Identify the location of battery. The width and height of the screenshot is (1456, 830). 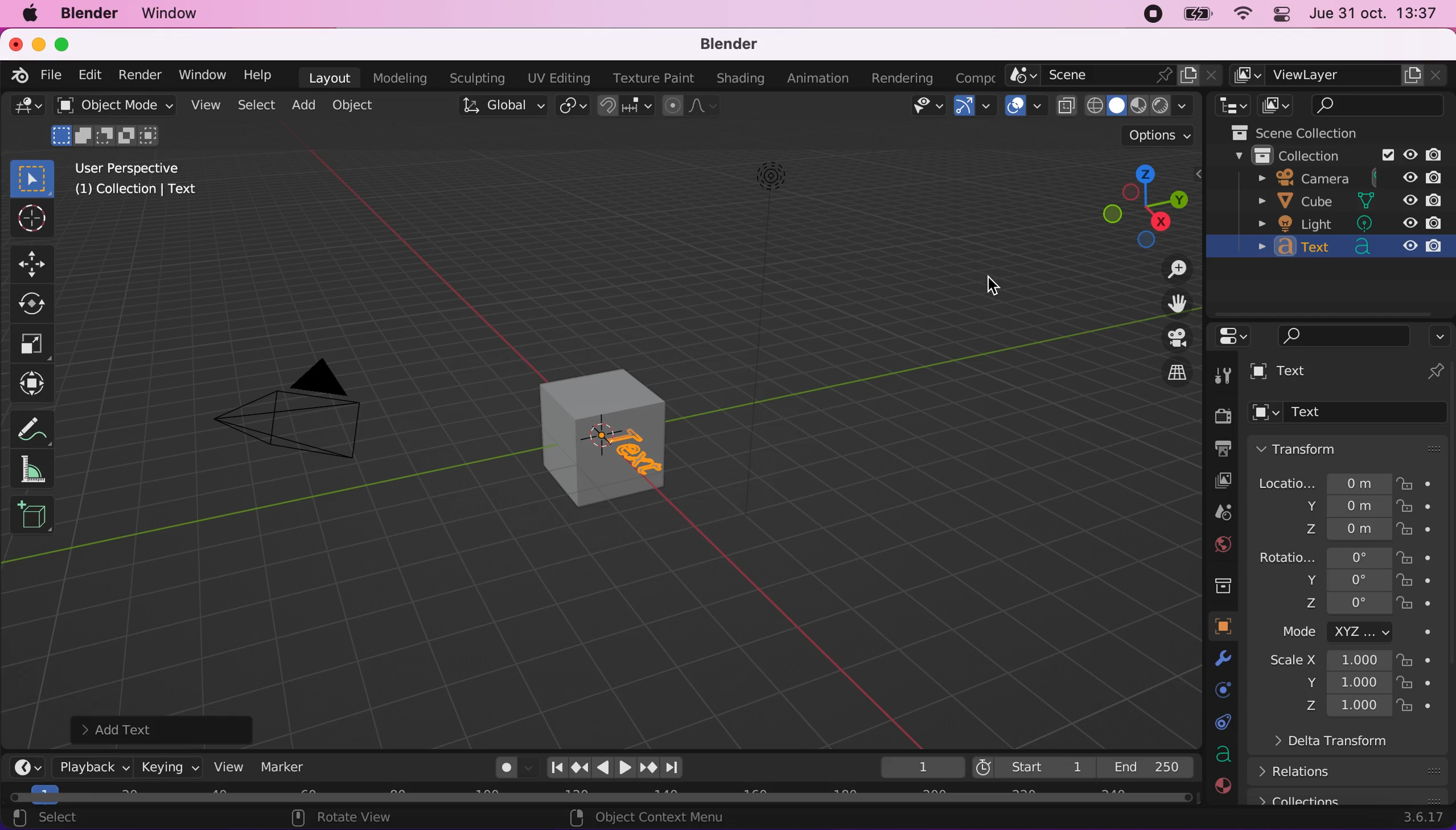
(1194, 14).